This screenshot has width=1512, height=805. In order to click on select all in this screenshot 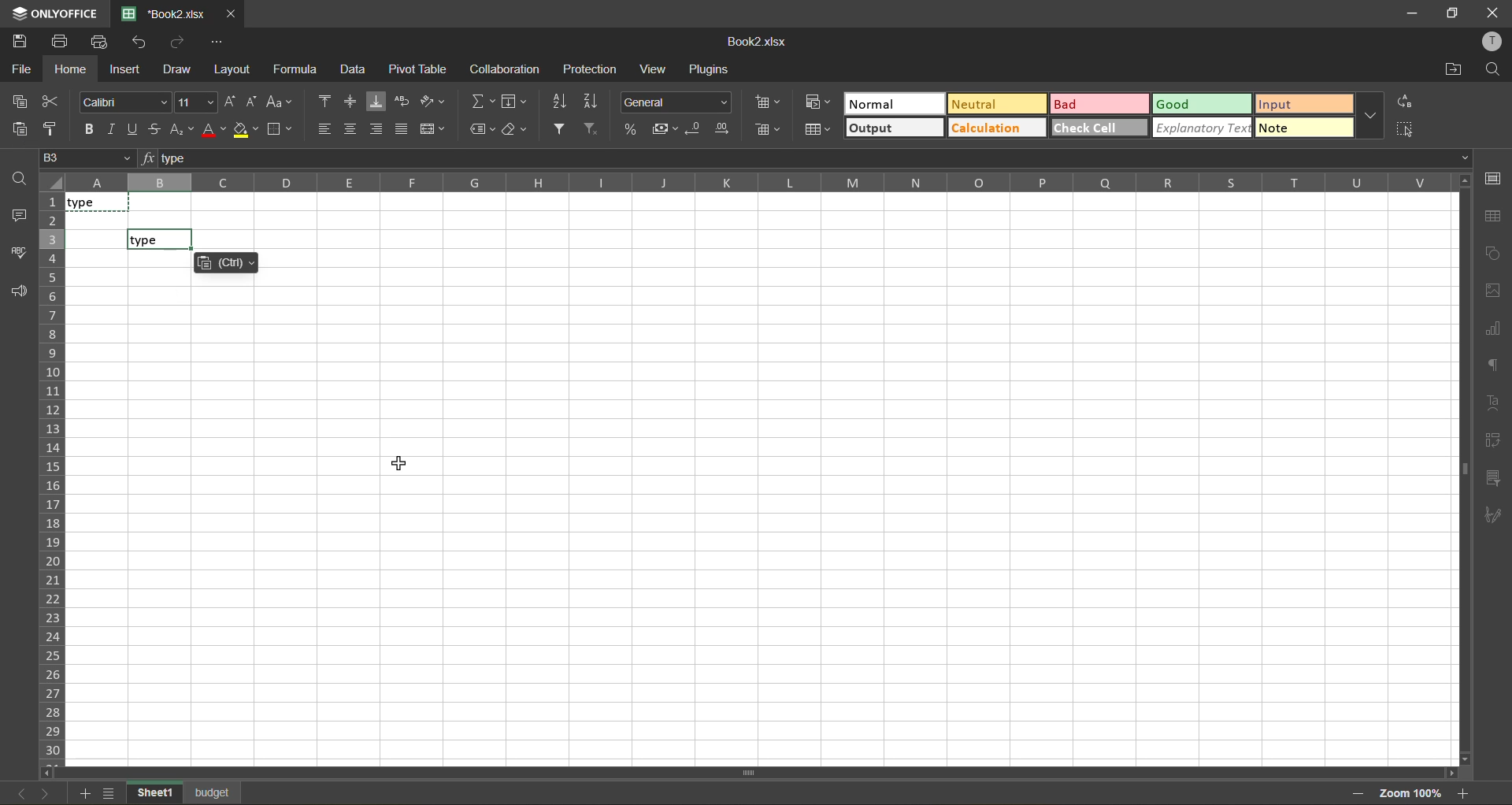, I will do `click(1405, 129)`.